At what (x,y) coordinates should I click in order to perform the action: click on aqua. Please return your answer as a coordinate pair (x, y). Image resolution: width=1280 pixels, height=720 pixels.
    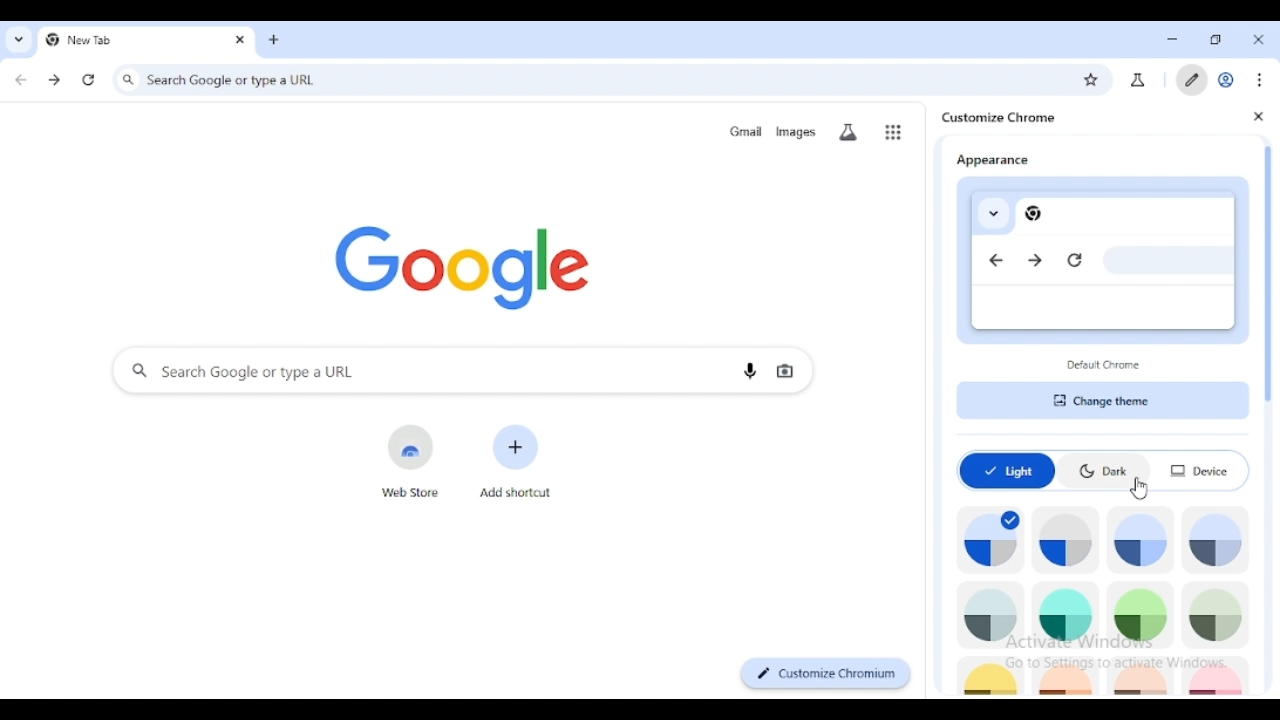
    Looking at the image, I should click on (1066, 615).